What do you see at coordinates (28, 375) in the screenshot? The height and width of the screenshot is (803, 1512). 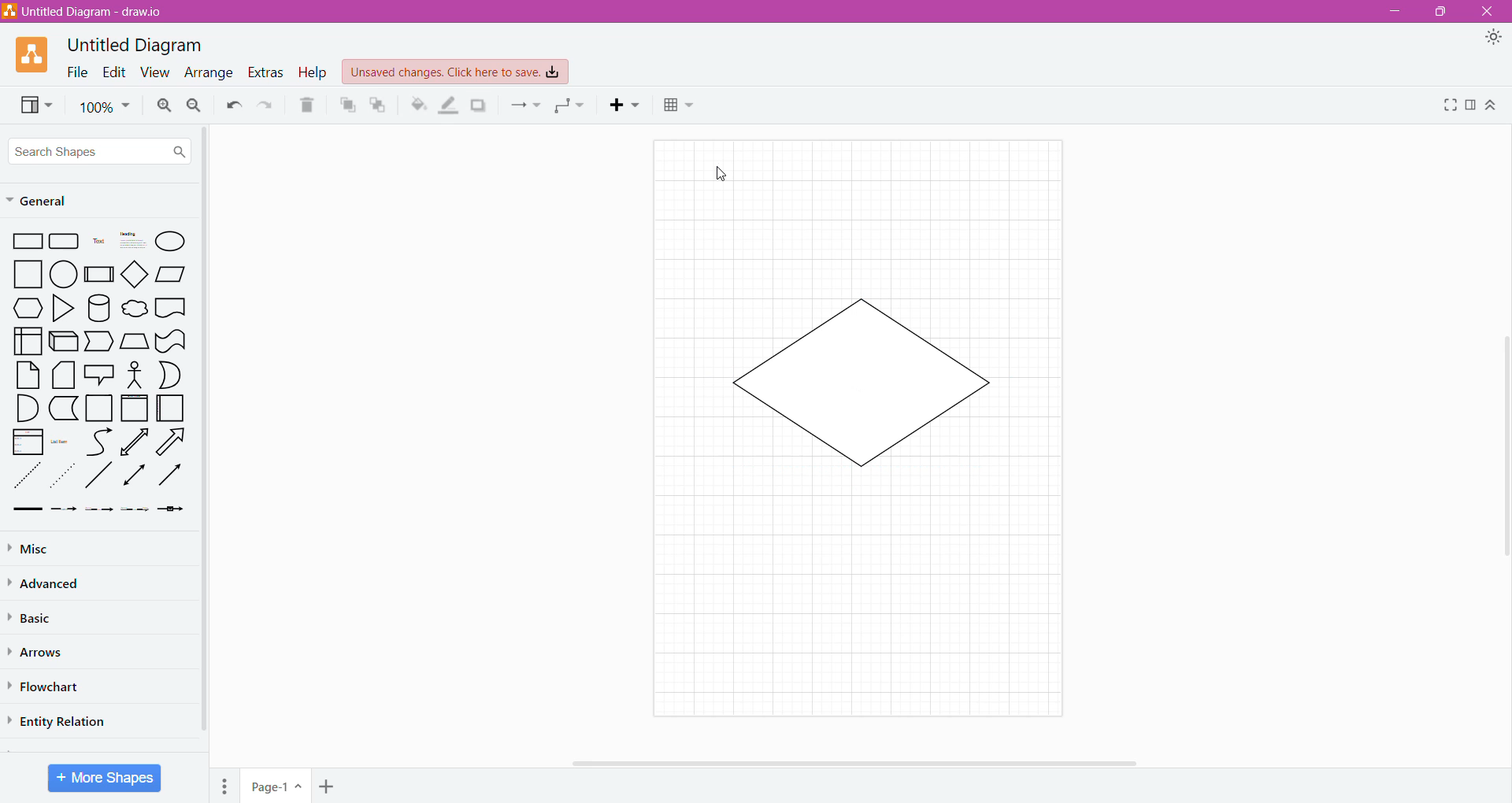 I see `Note` at bounding box center [28, 375].